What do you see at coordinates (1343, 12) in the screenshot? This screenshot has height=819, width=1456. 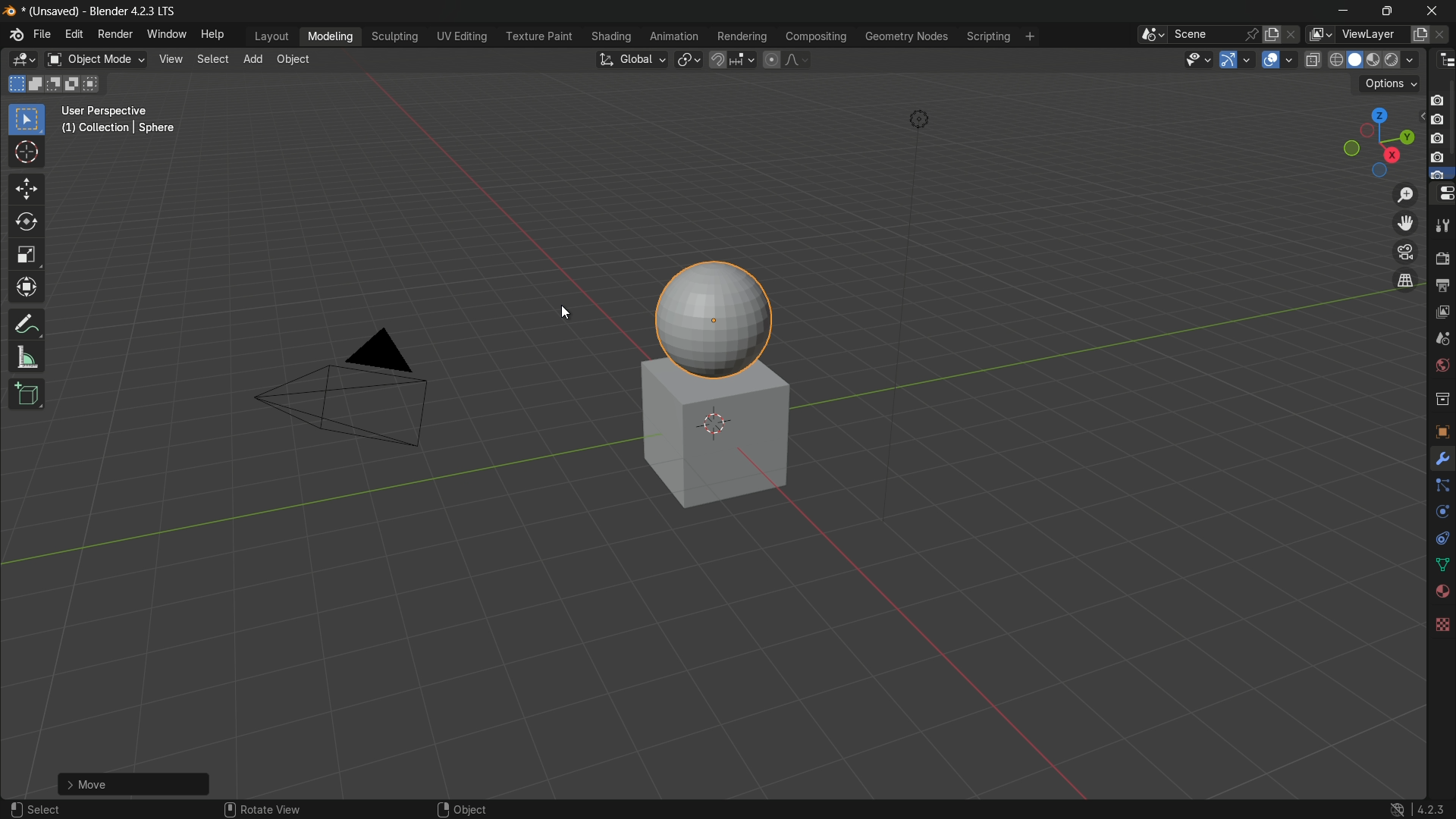 I see `minimize` at bounding box center [1343, 12].